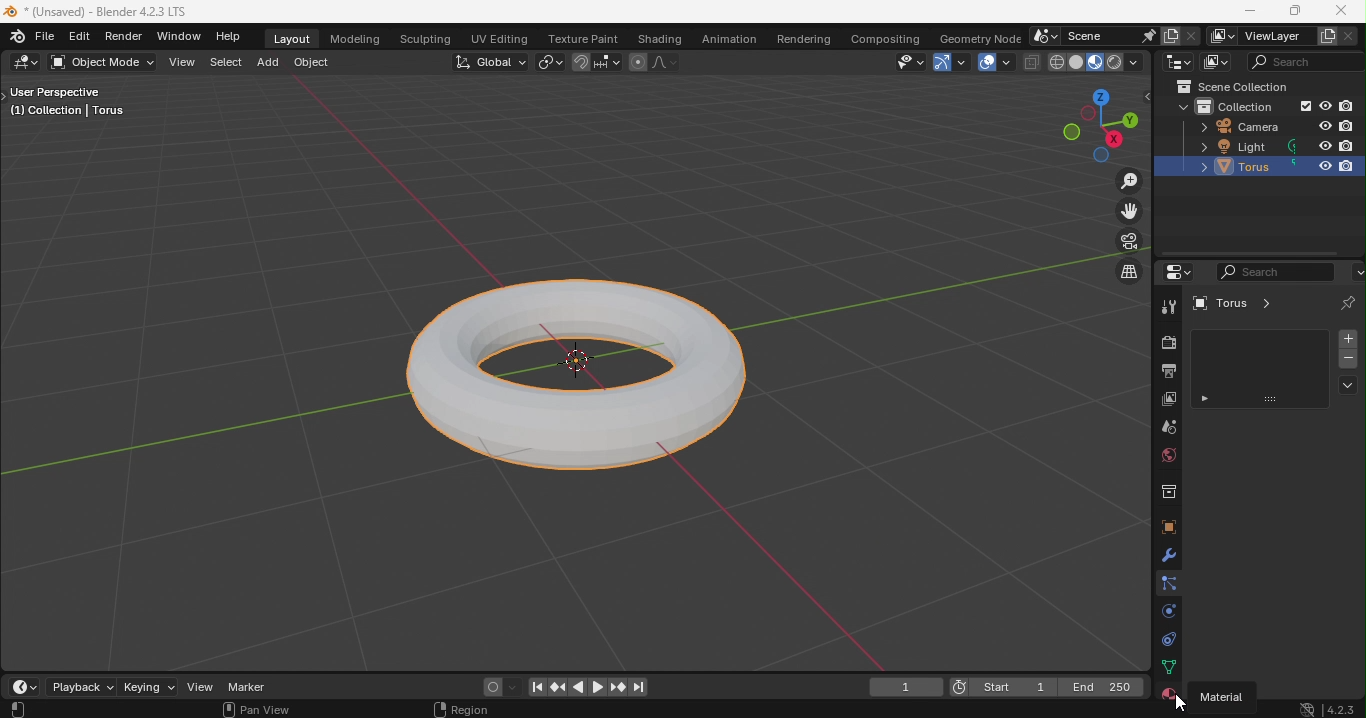 This screenshot has width=1366, height=718. I want to click on Blender logo, so click(16, 36).